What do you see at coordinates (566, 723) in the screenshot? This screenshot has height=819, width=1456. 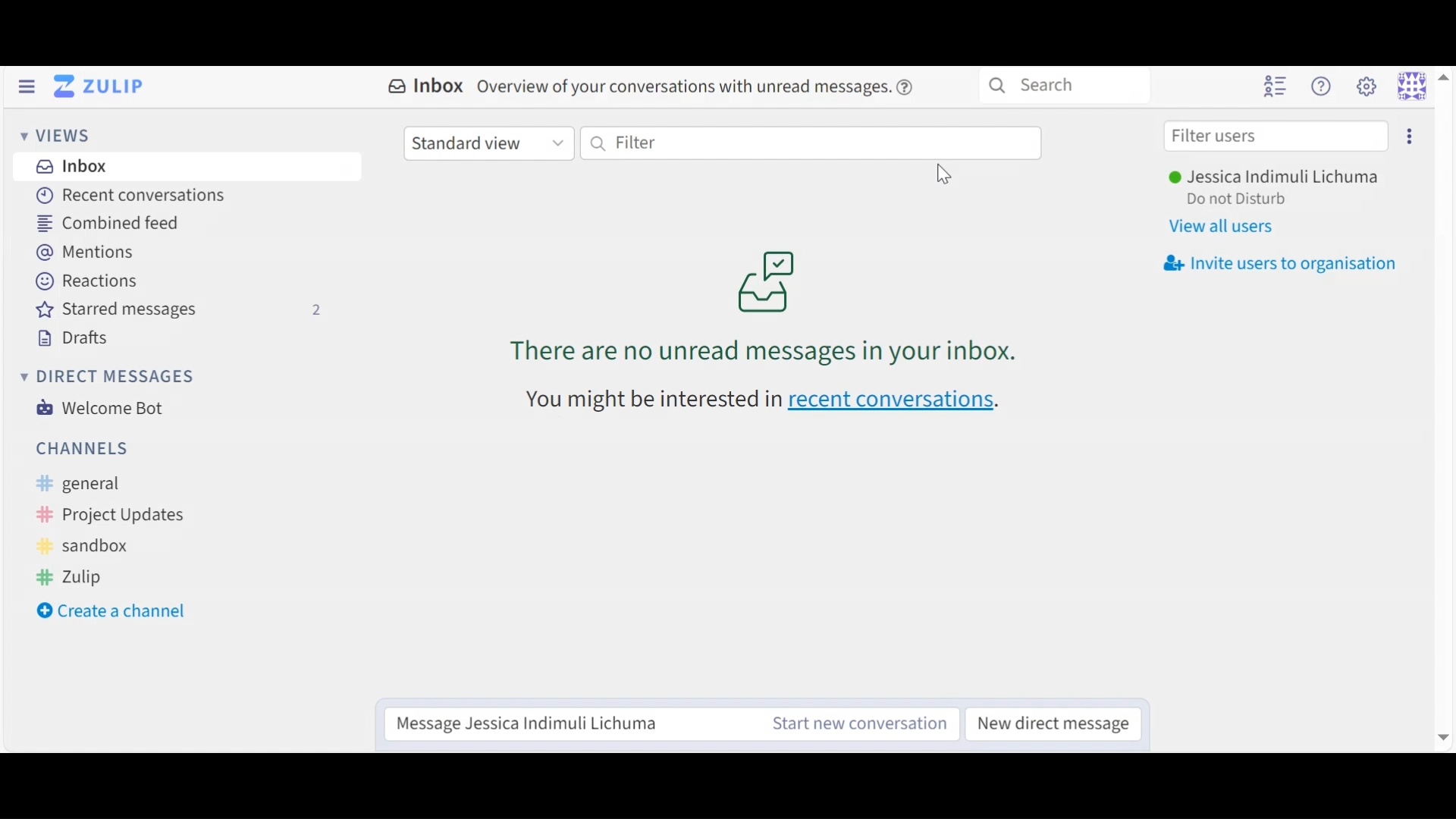 I see `Reply message` at bounding box center [566, 723].